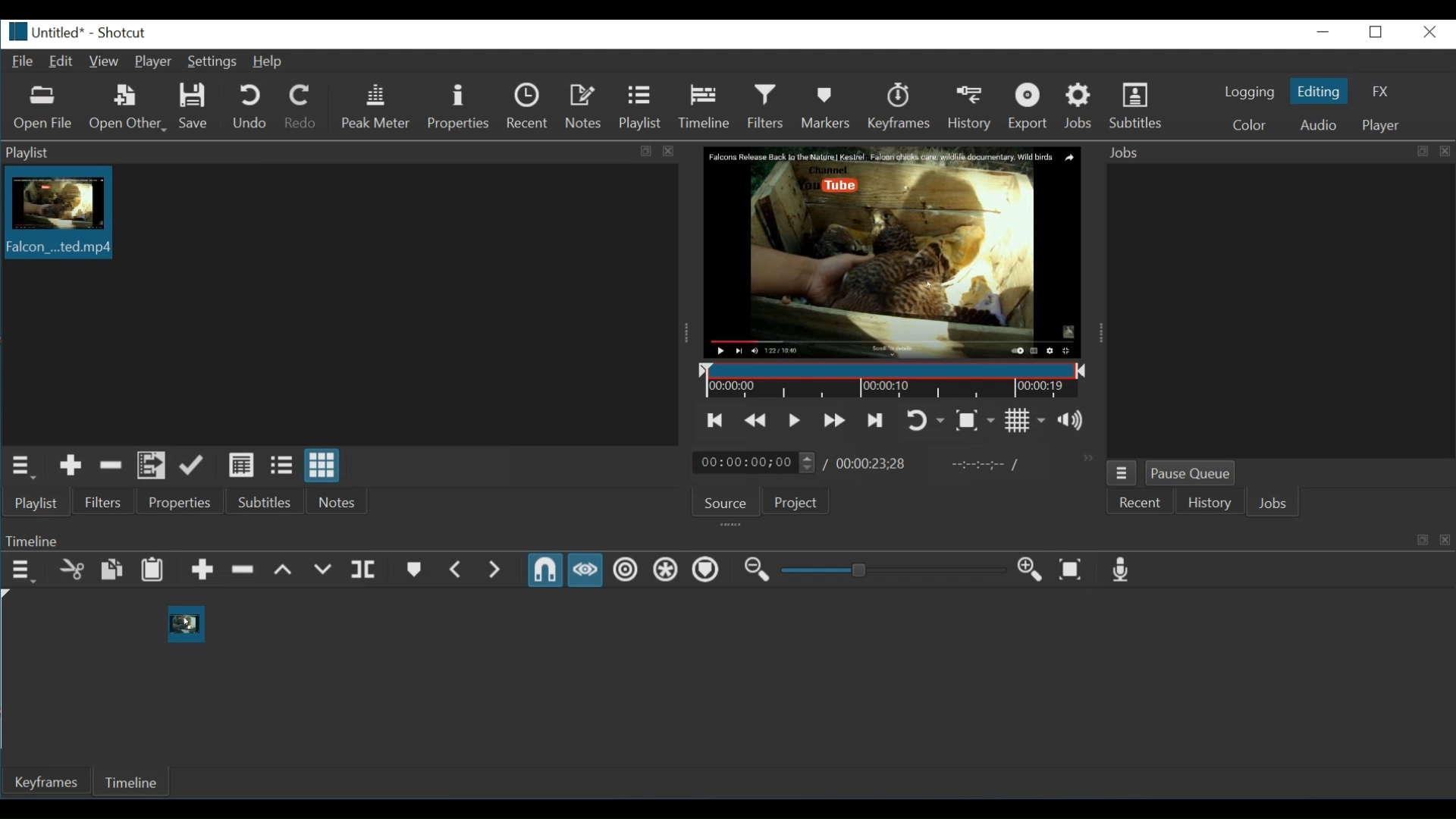 The image size is (1456, 819). Describe the element at coordinates (799, 502) in the screenshot. I see `Project` at that location.